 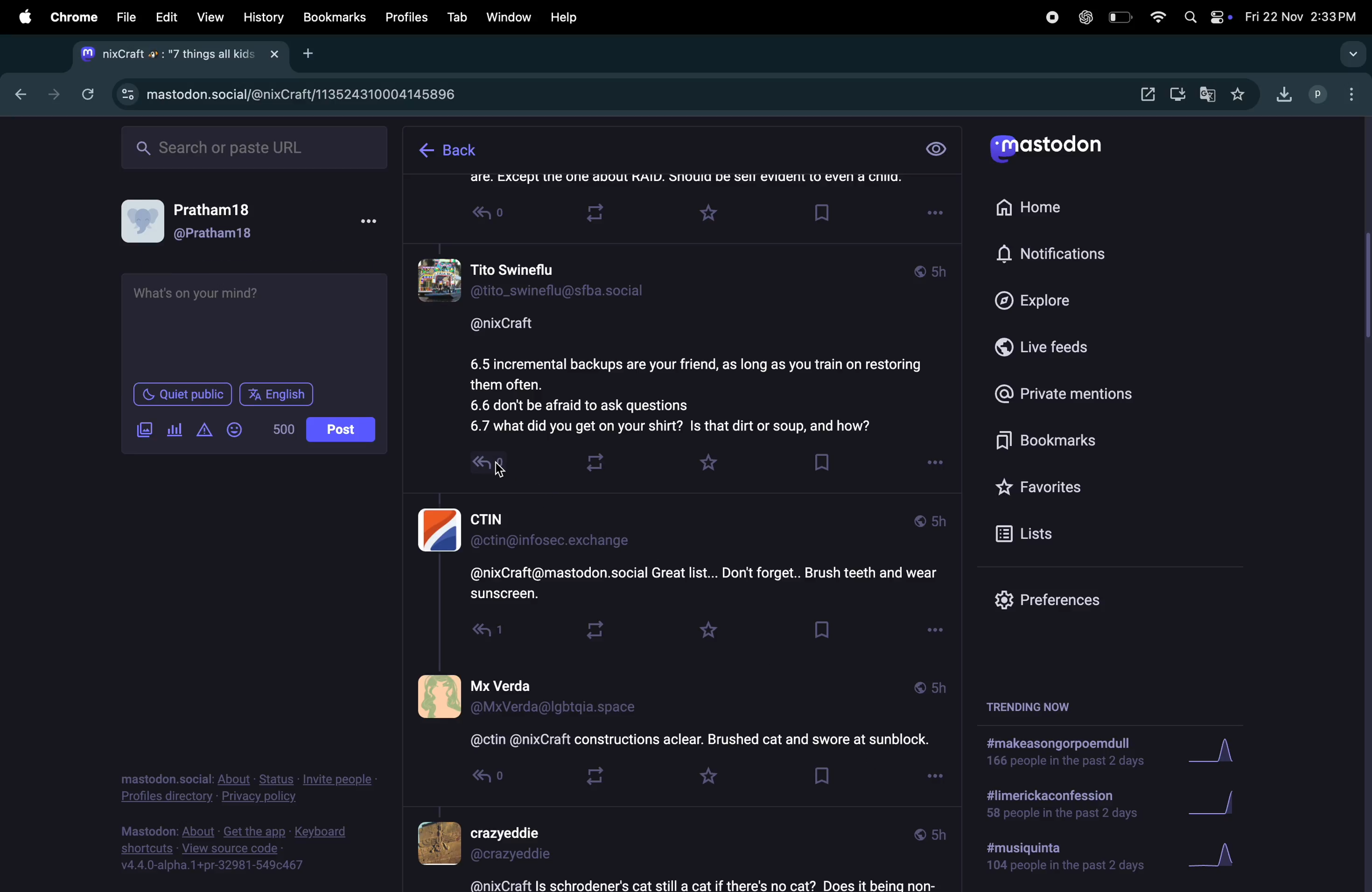 What do you see at coordinates (1038, 708) in the screenshot?
I see `tending now` at bounding box center [1038, 708].